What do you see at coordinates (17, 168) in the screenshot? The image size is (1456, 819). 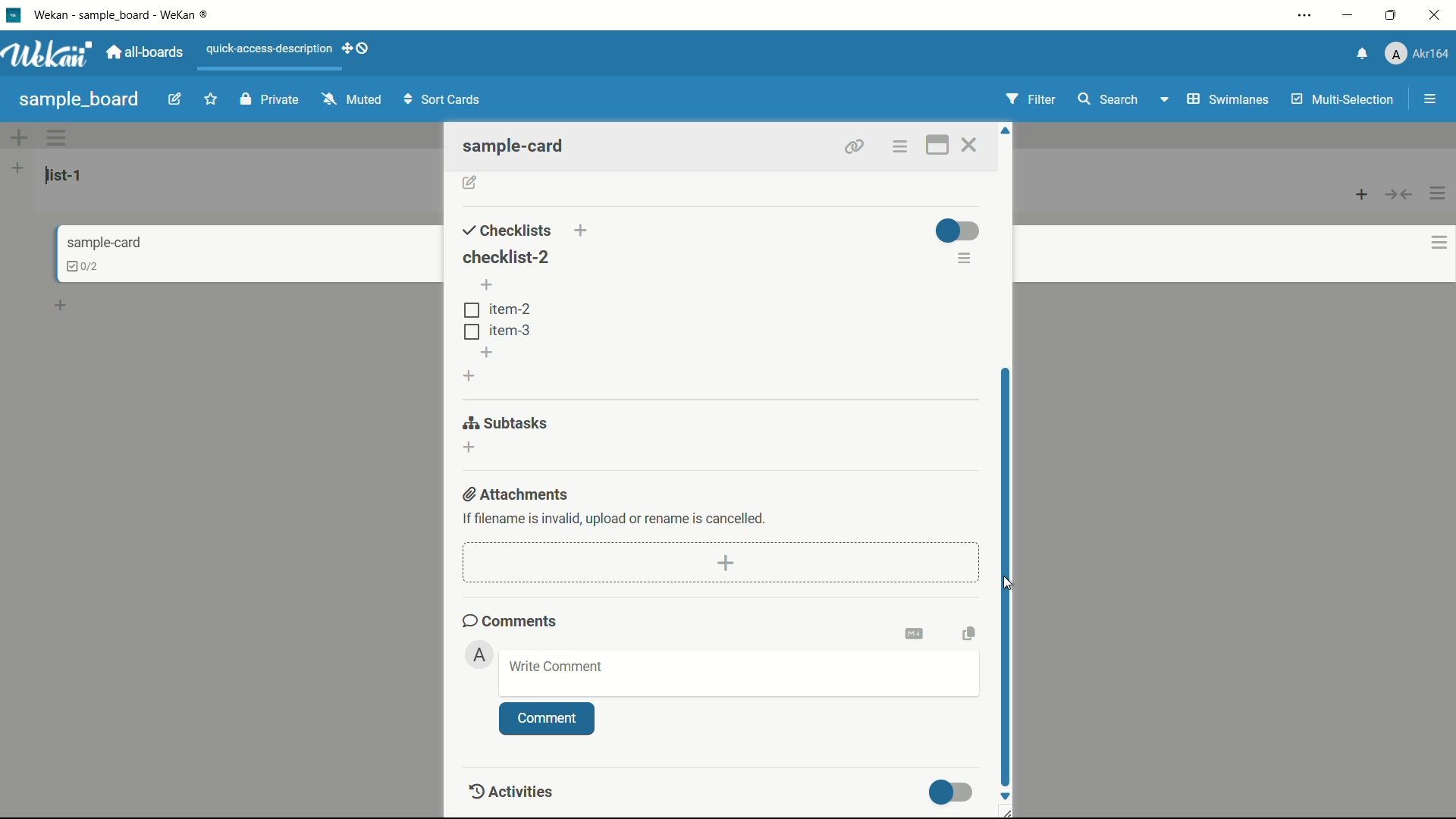 I see `add list` at bounding box center [17, 168].